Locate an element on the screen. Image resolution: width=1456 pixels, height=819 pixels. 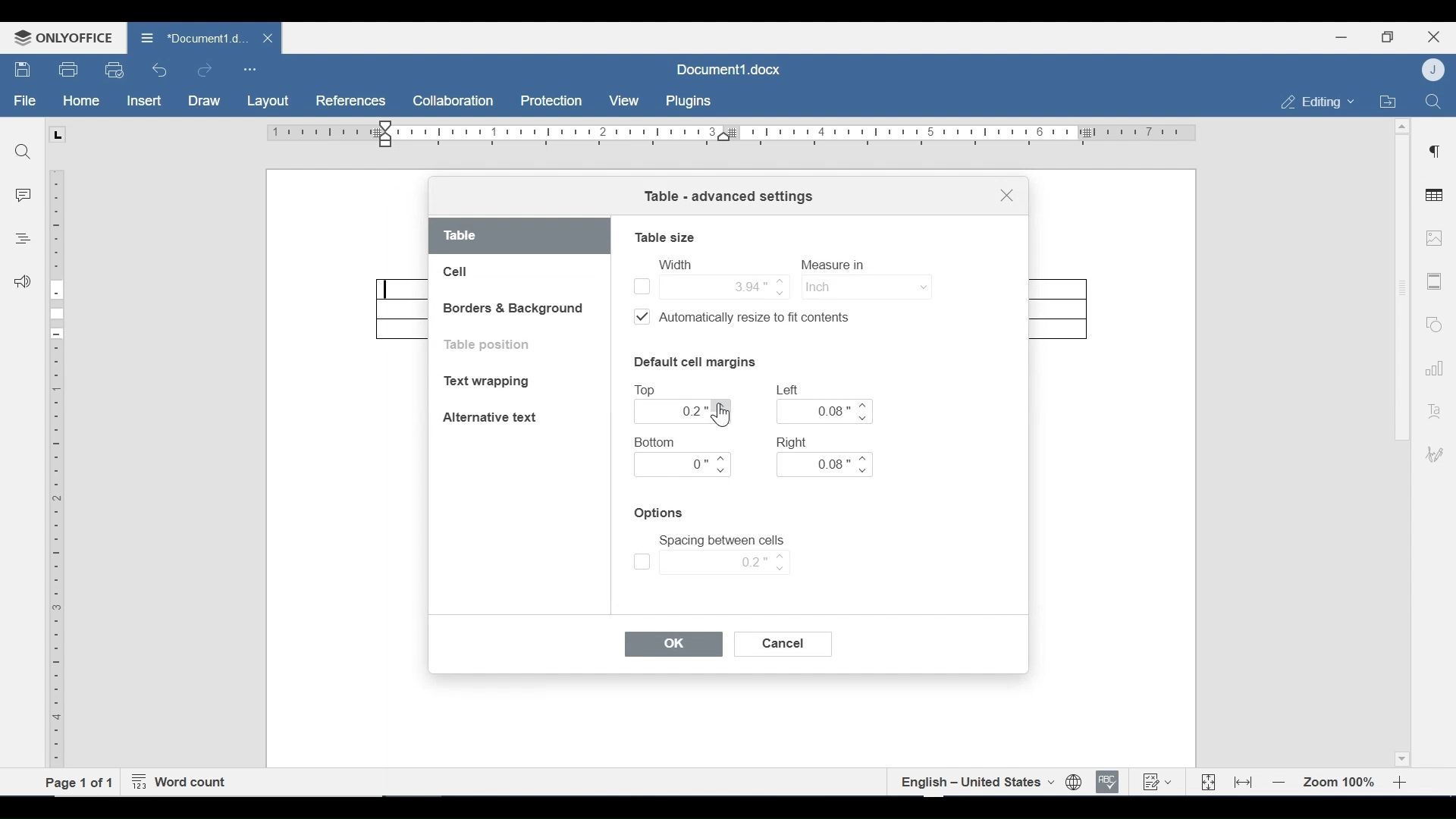
Insert is located at coordinates (143, 101).